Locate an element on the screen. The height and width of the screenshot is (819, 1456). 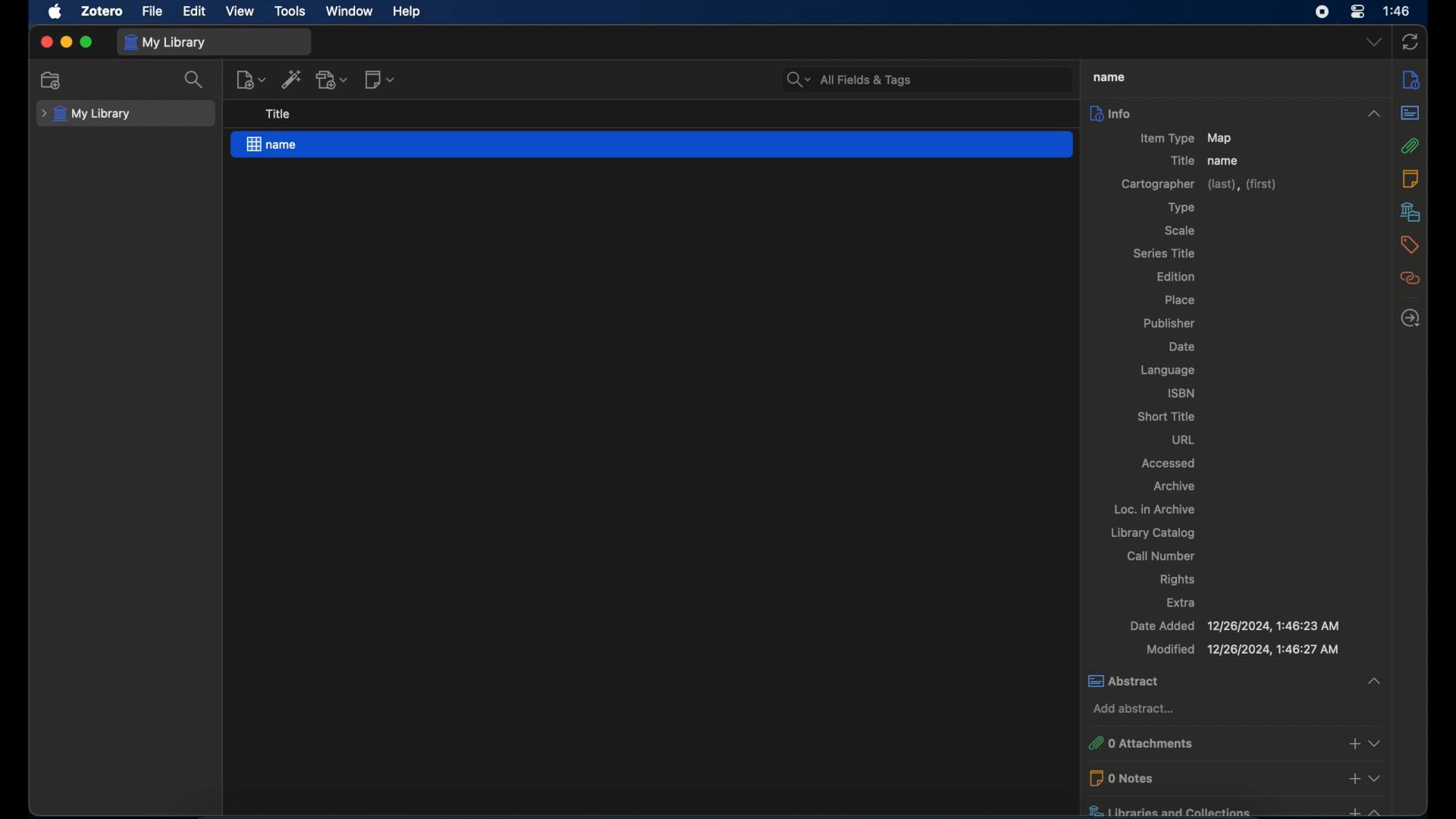
add is located at coordinates (1351, 810).